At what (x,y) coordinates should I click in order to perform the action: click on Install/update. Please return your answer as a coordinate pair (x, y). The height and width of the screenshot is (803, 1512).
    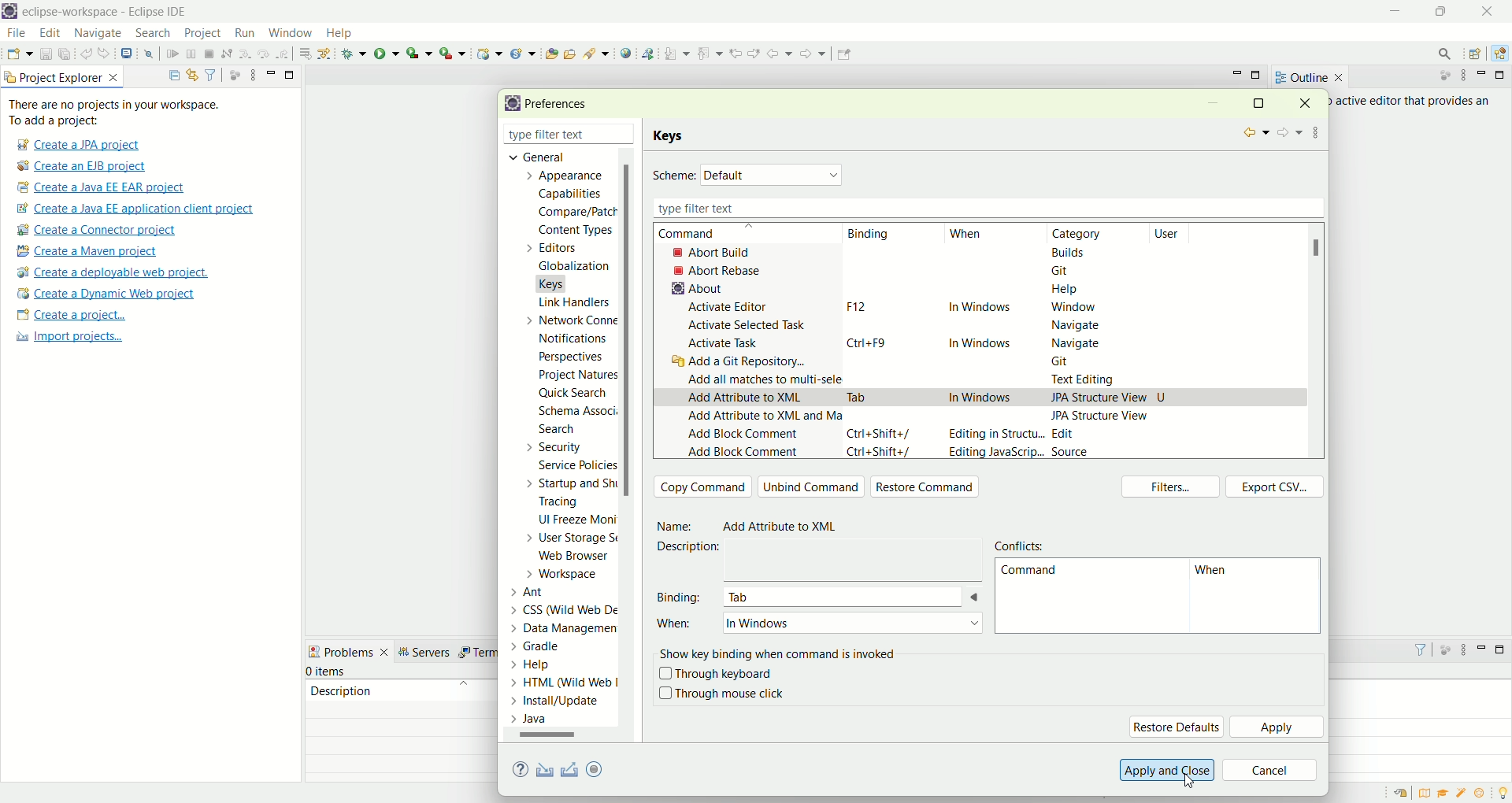
    Looking at the image, I should click on (558, 703).